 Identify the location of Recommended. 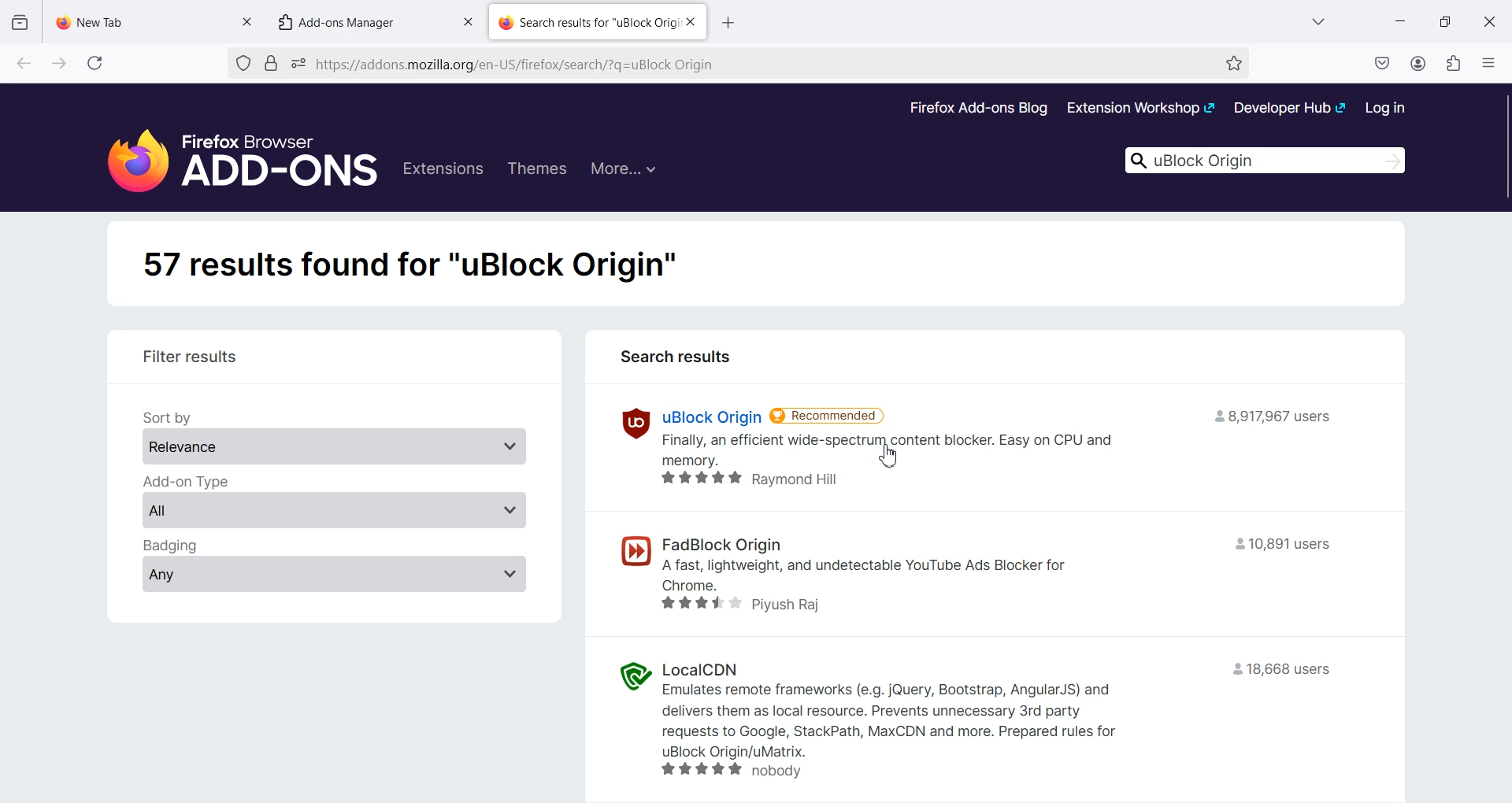
(832, 413).